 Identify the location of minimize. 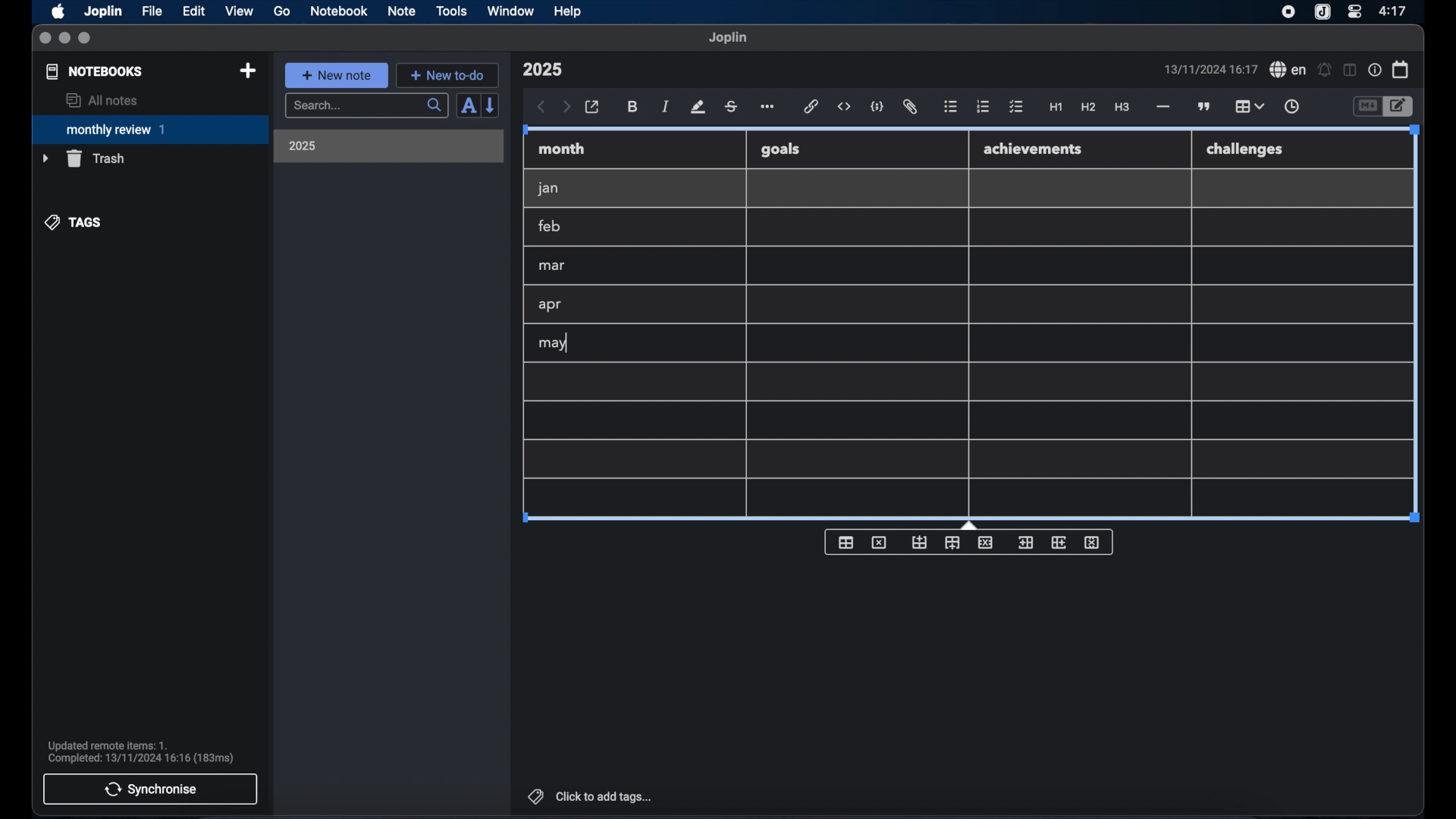
(64, 39).